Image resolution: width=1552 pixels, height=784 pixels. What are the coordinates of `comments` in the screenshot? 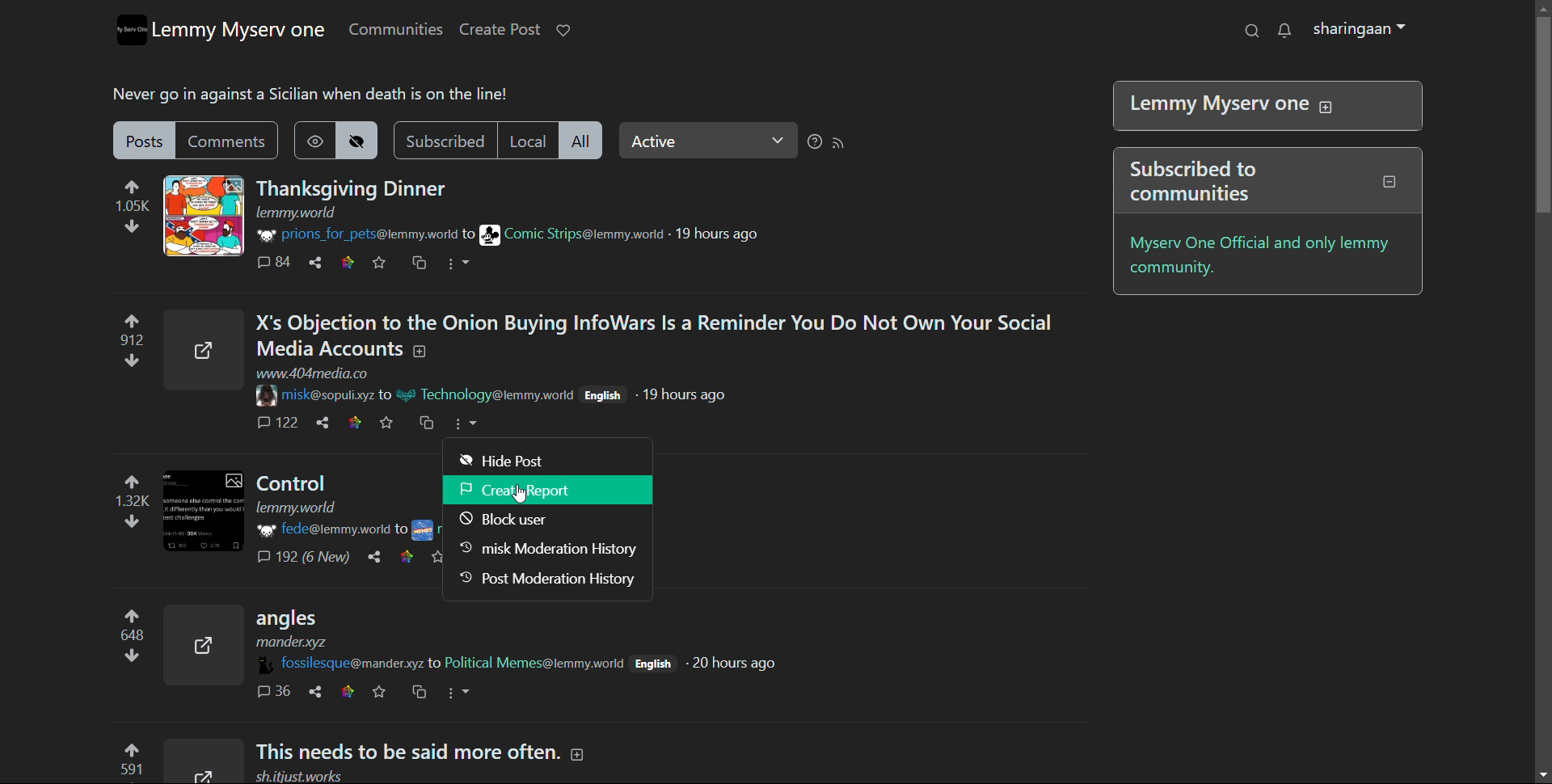 It's located at (269, 425).